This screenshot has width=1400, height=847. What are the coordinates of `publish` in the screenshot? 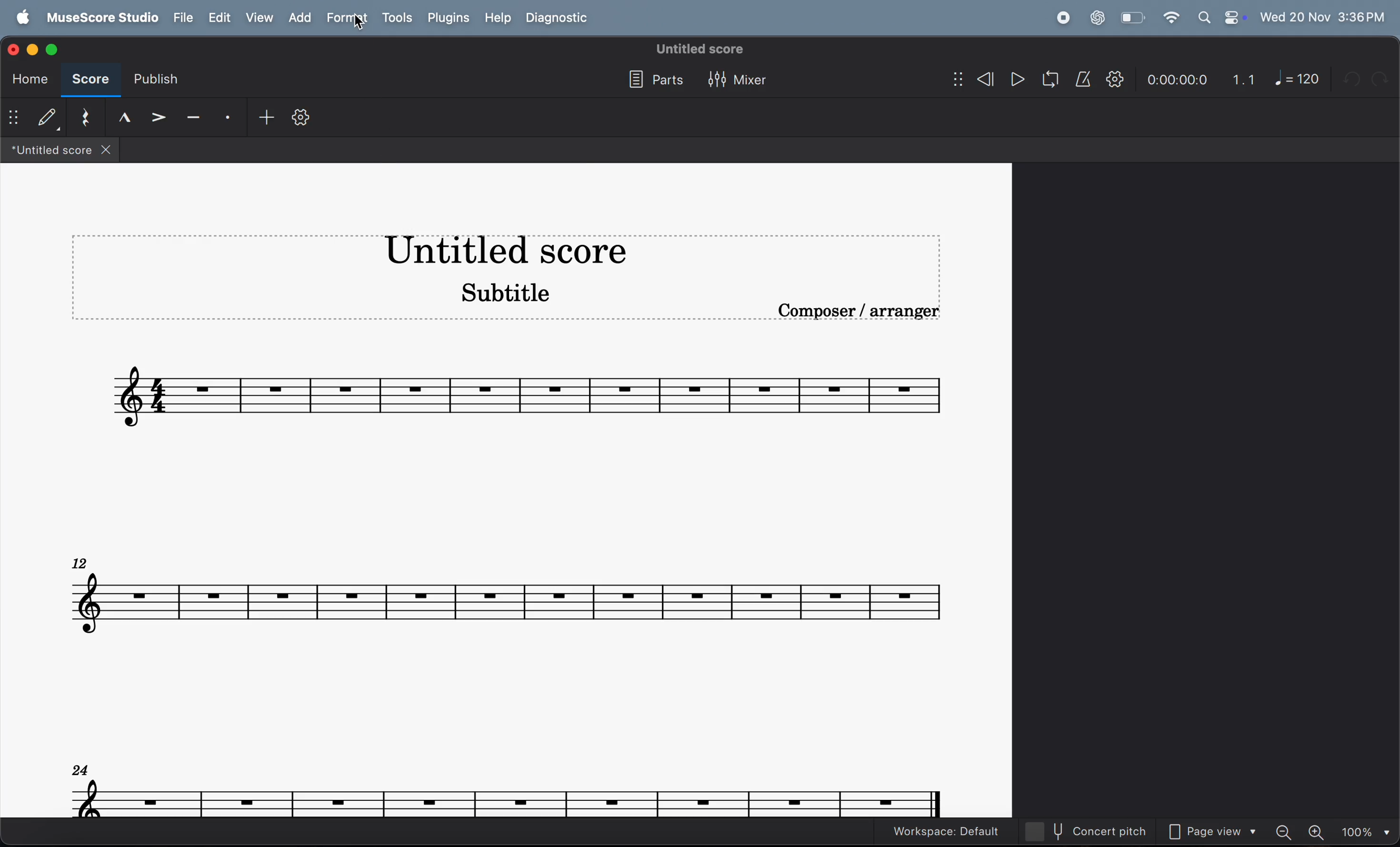 It's located at (153, 82).